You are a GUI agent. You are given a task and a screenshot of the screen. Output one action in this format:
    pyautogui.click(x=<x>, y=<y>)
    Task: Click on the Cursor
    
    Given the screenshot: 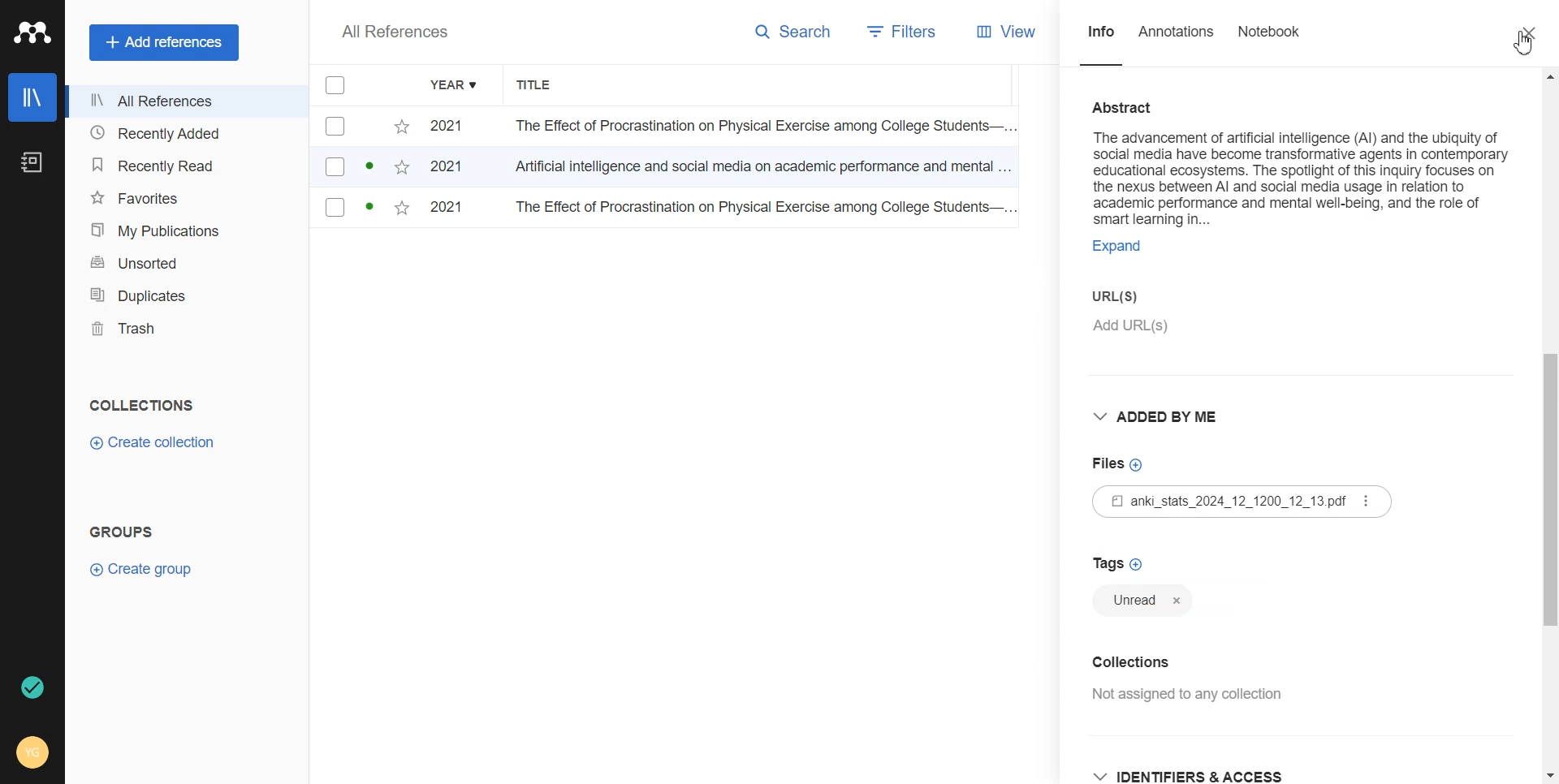 What is the action you would take?
    pyautogui.click(x=1518, y=48)
    